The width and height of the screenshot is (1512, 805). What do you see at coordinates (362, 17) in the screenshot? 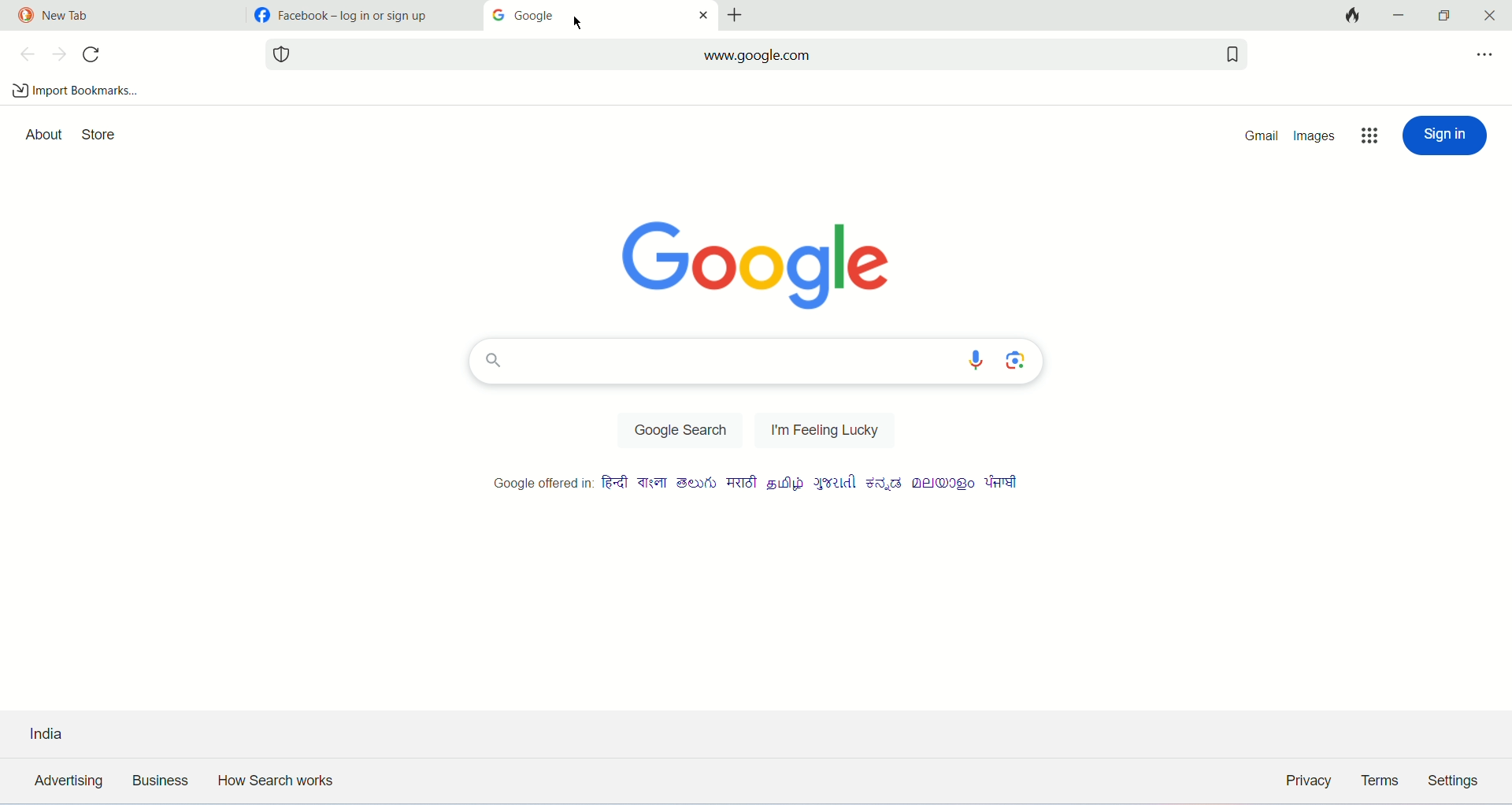
I see `tab2` at bounding box center [362, 17].